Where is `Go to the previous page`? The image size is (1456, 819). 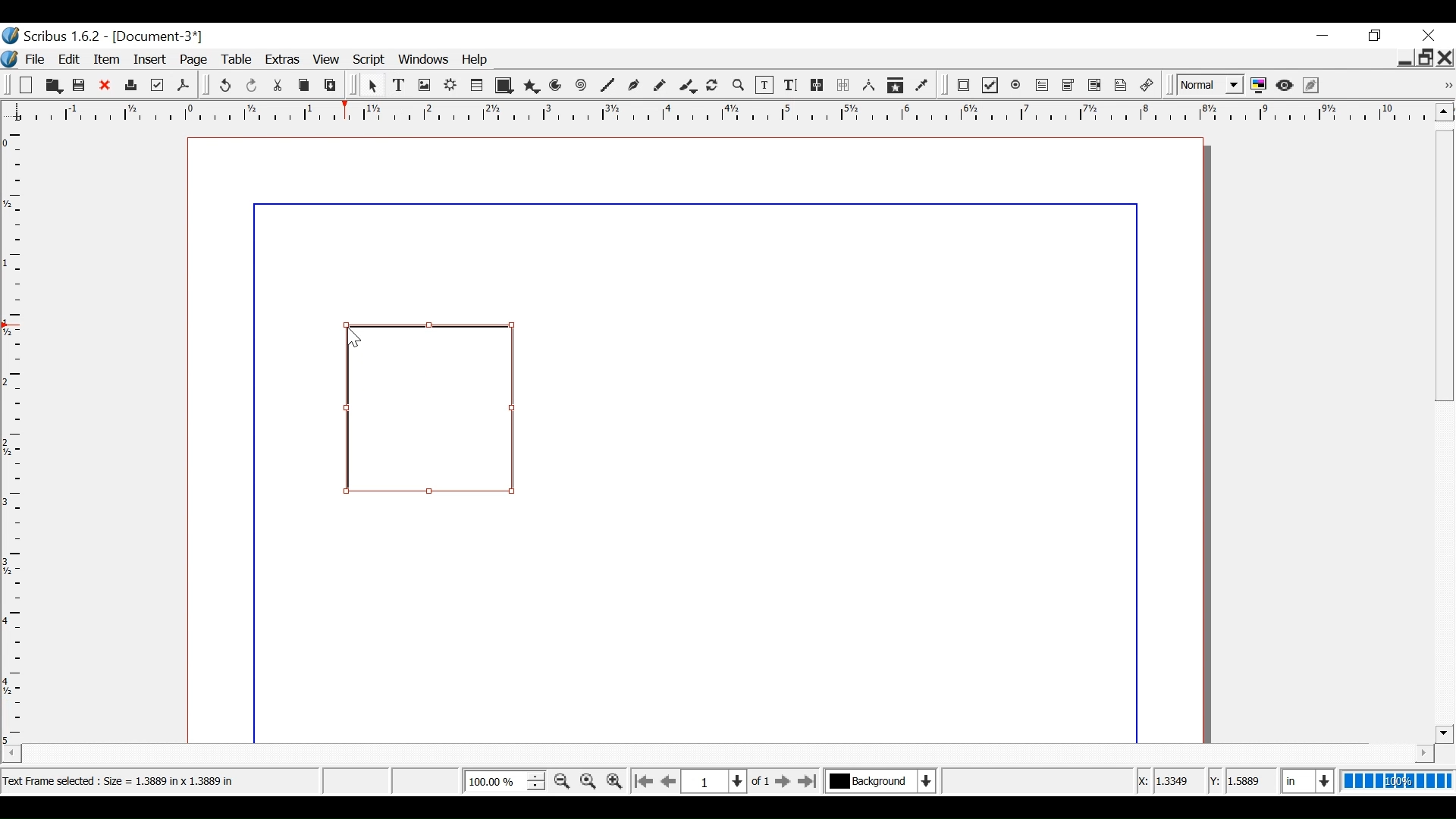 Go to the previous page is located at coordinates (670, 780).